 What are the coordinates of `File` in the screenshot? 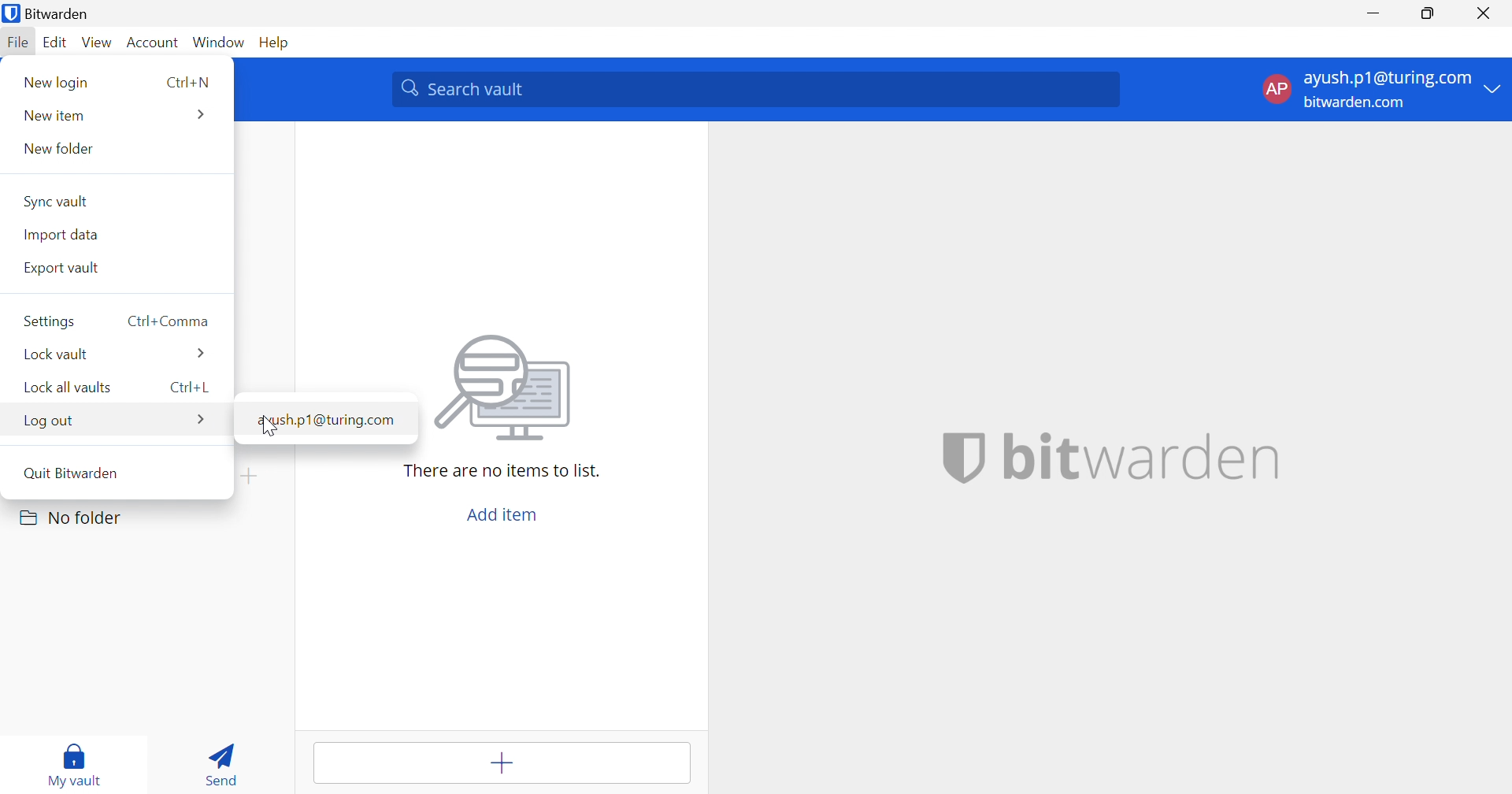 It's located at (17, 43).